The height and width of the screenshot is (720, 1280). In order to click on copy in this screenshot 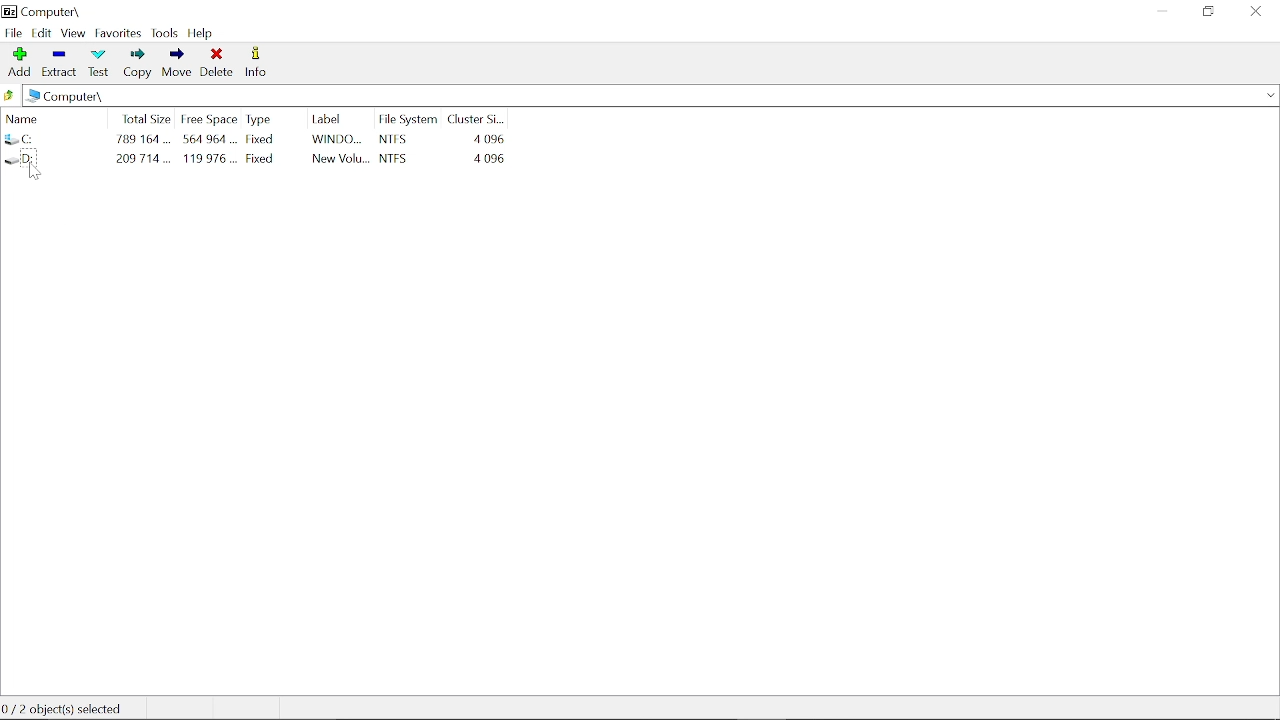, I will do `click(139, 64)`.